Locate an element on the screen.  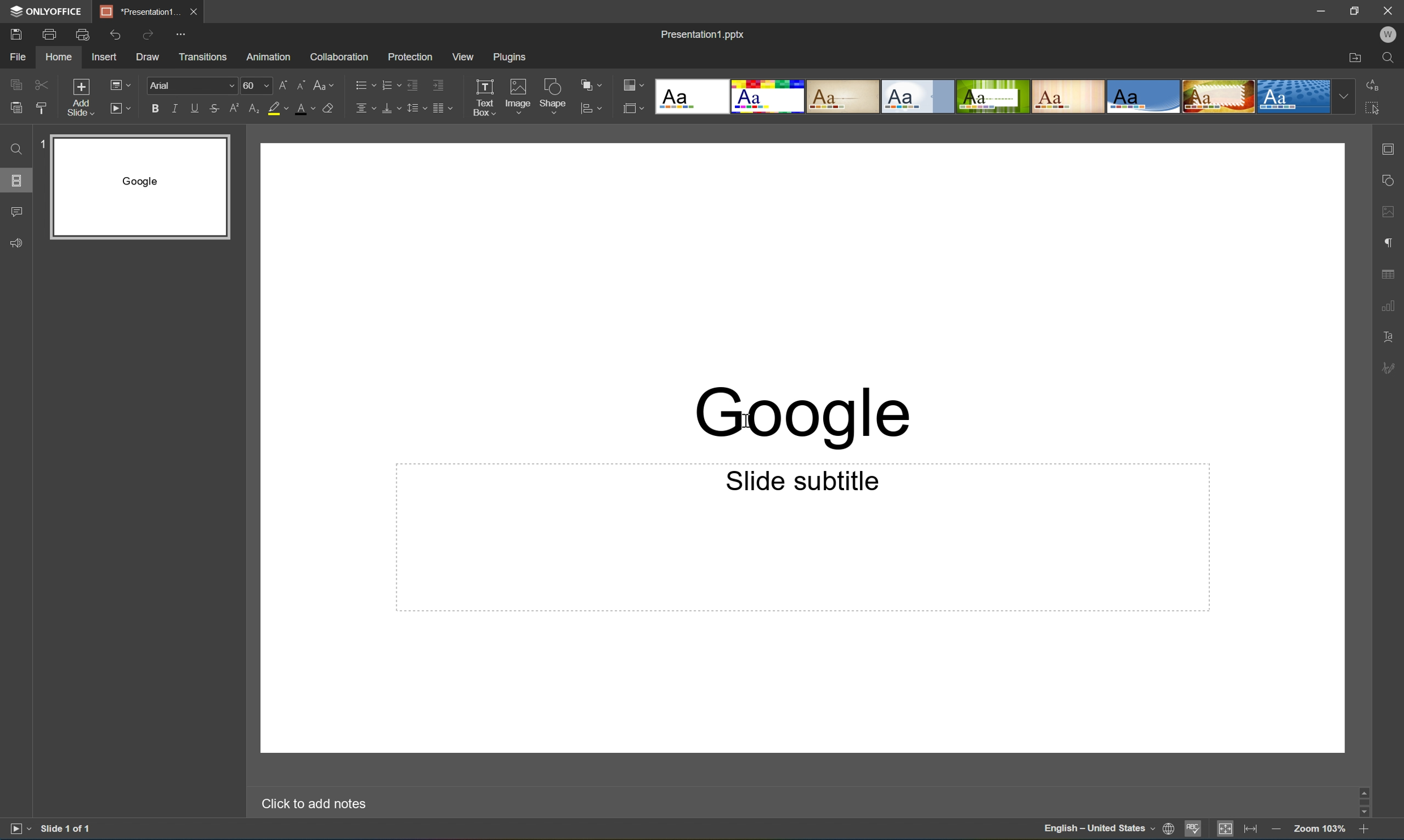
Bullets is located at coordinates (363, 85).